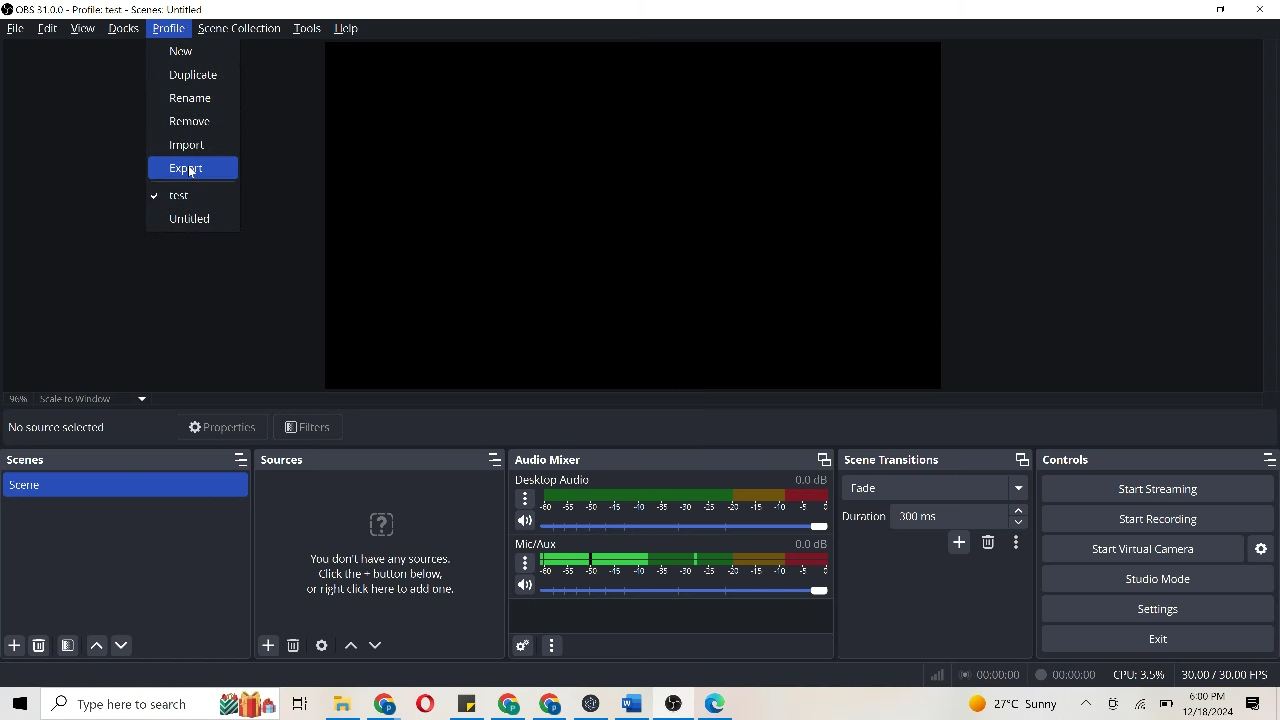 This screenshot has height=720, width=1280. Describe the element at coordinates (382, 526) in the screenshot. I see `icon` at that location.